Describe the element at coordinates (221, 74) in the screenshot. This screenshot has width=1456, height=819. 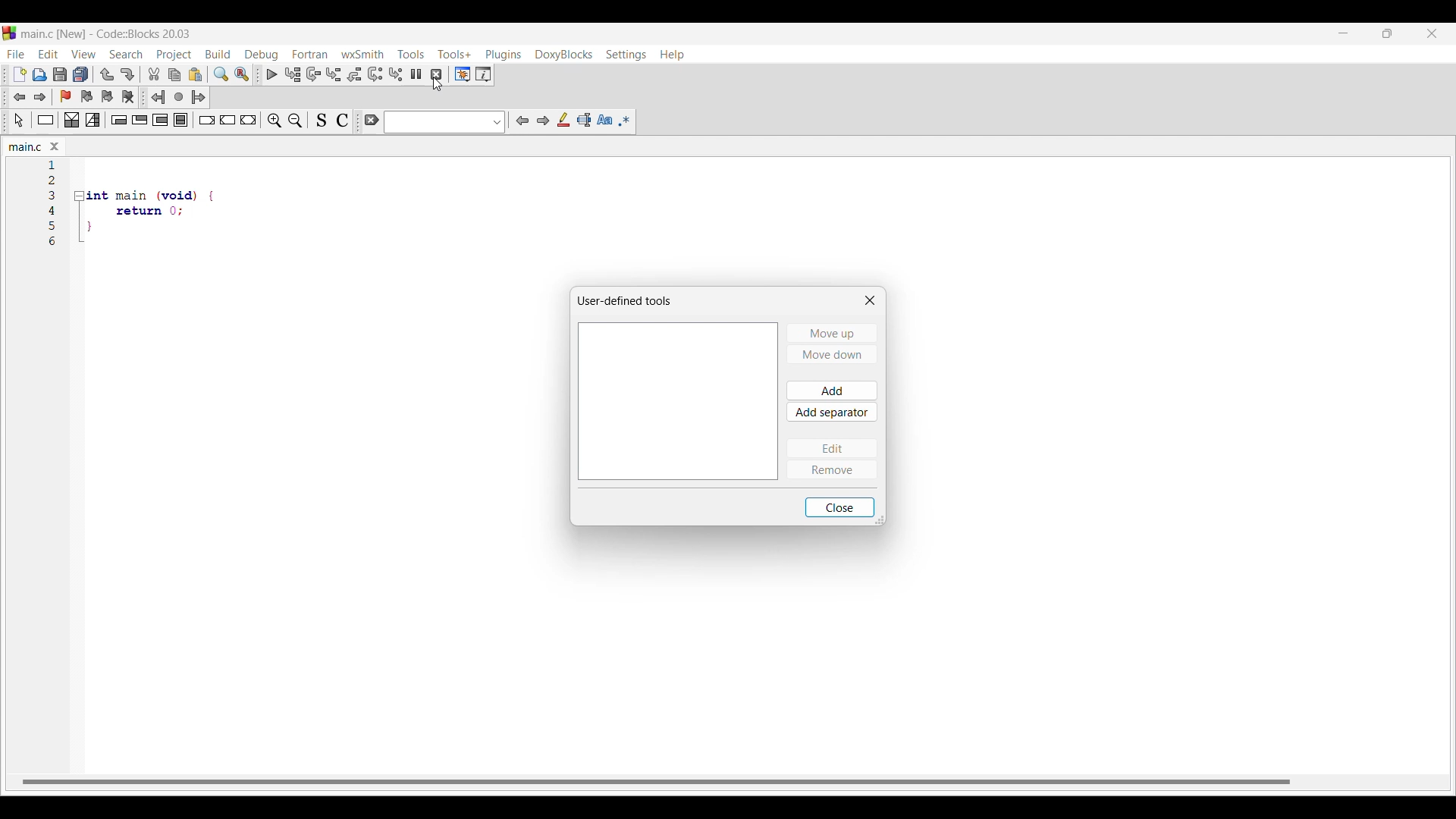
I see `Find` at that location.